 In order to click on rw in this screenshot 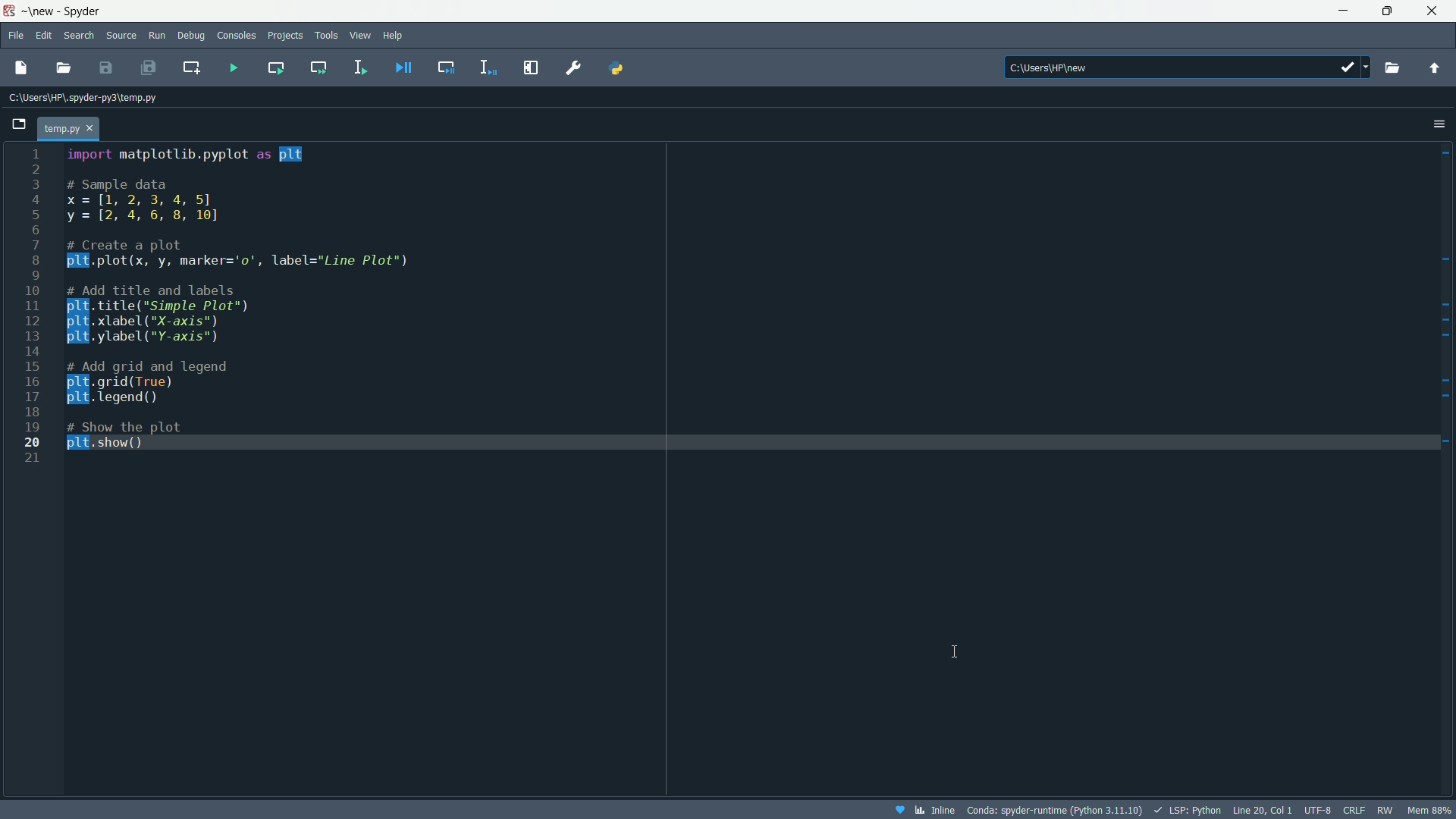, I will do `click(1389, 810)`.